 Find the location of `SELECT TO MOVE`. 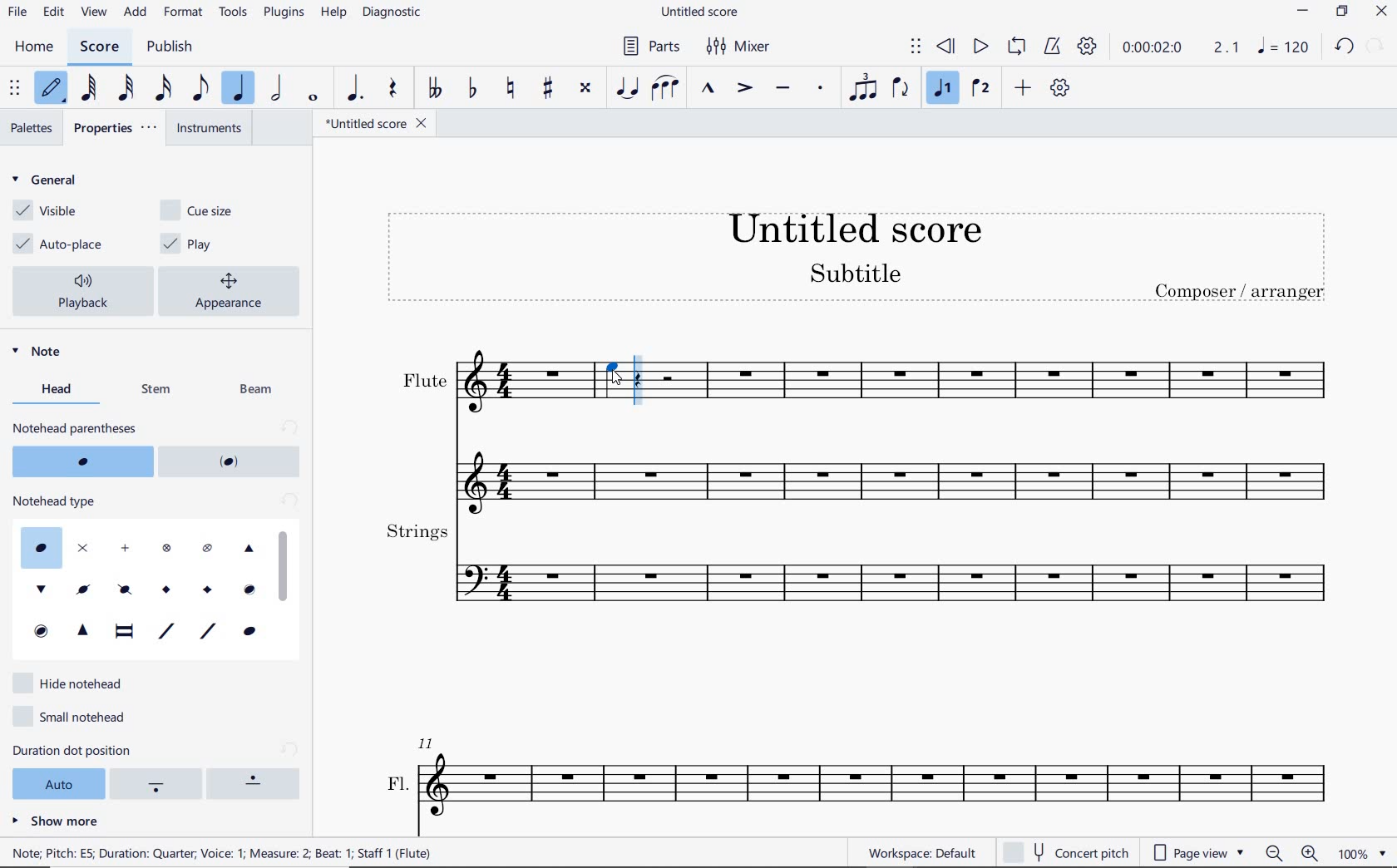

SELECT TO MOVE is located at coordinates (916, 47).